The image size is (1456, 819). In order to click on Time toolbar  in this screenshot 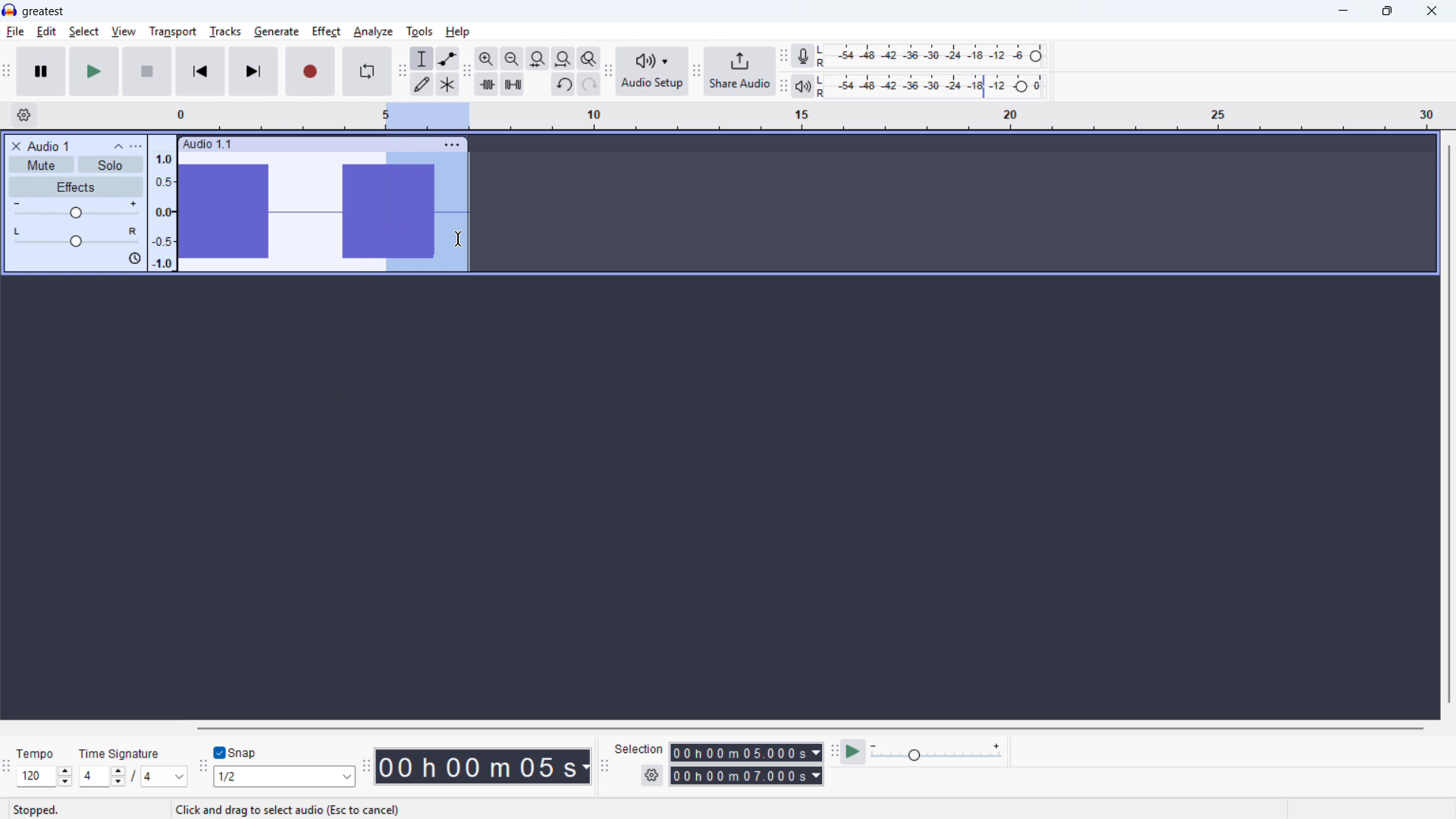, I will do `click(366, 766)`.